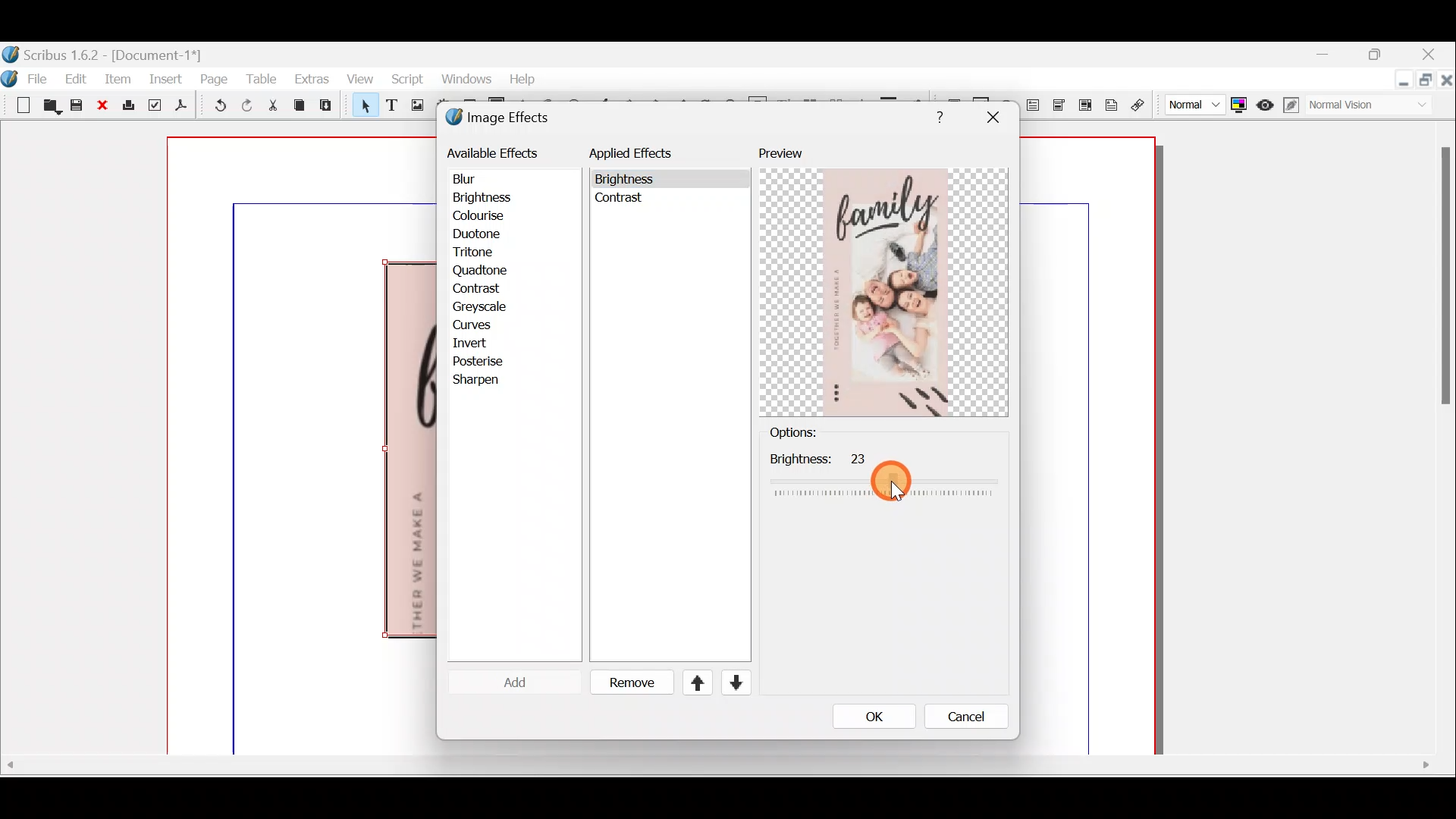 The image size is (1456, 819). I want to click on Logo, so click(10, 77).